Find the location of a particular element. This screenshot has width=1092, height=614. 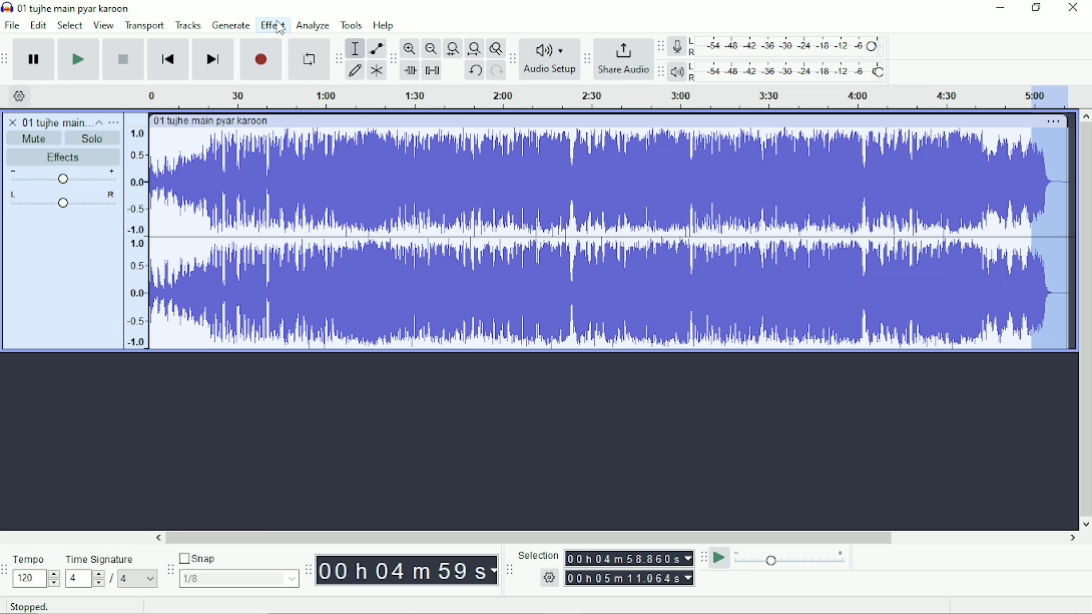

Audacity time signature toolbar is located at coordinates (5, 571).